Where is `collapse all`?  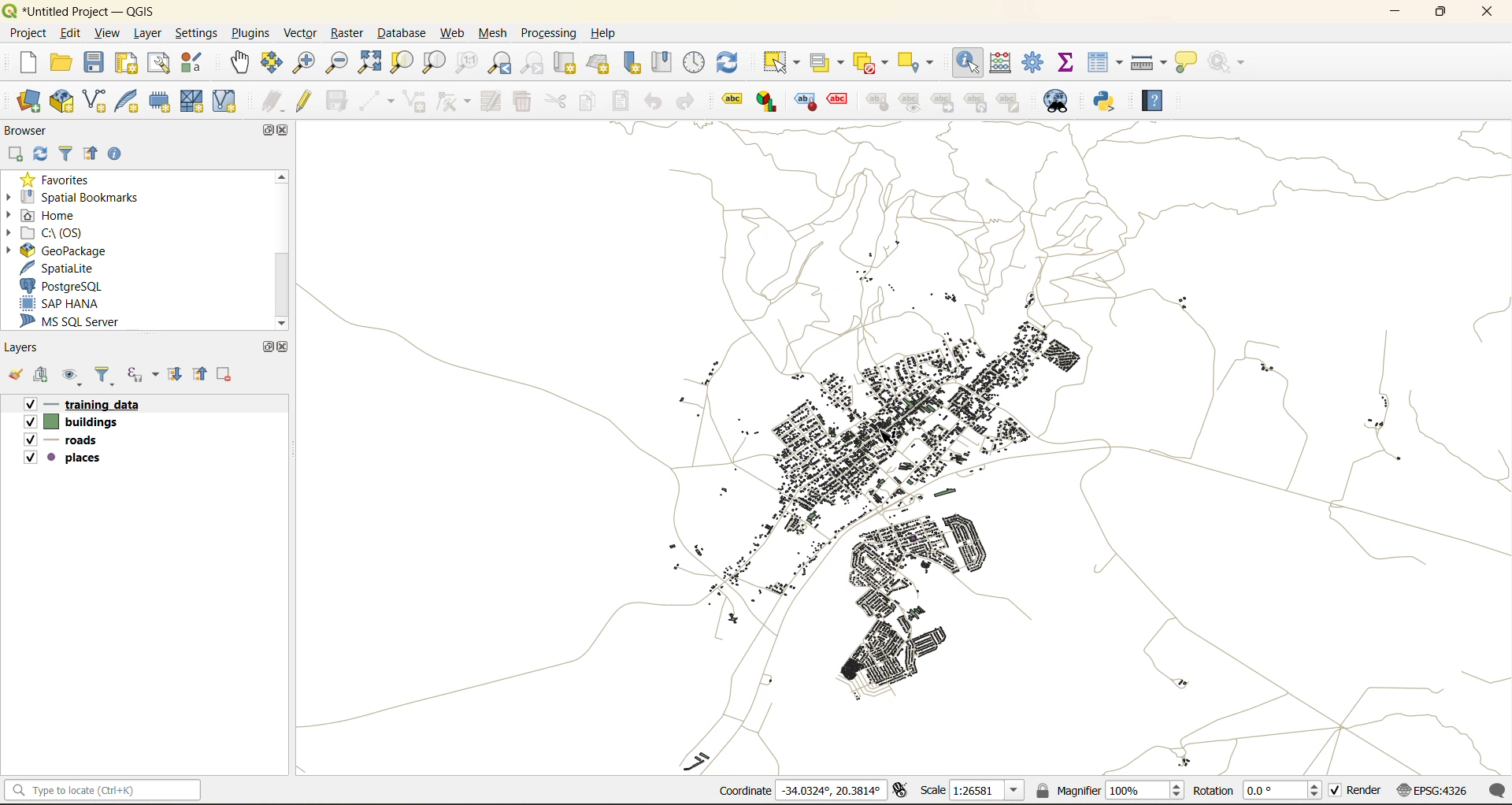 collapse all is located at coordinates (202, 373).